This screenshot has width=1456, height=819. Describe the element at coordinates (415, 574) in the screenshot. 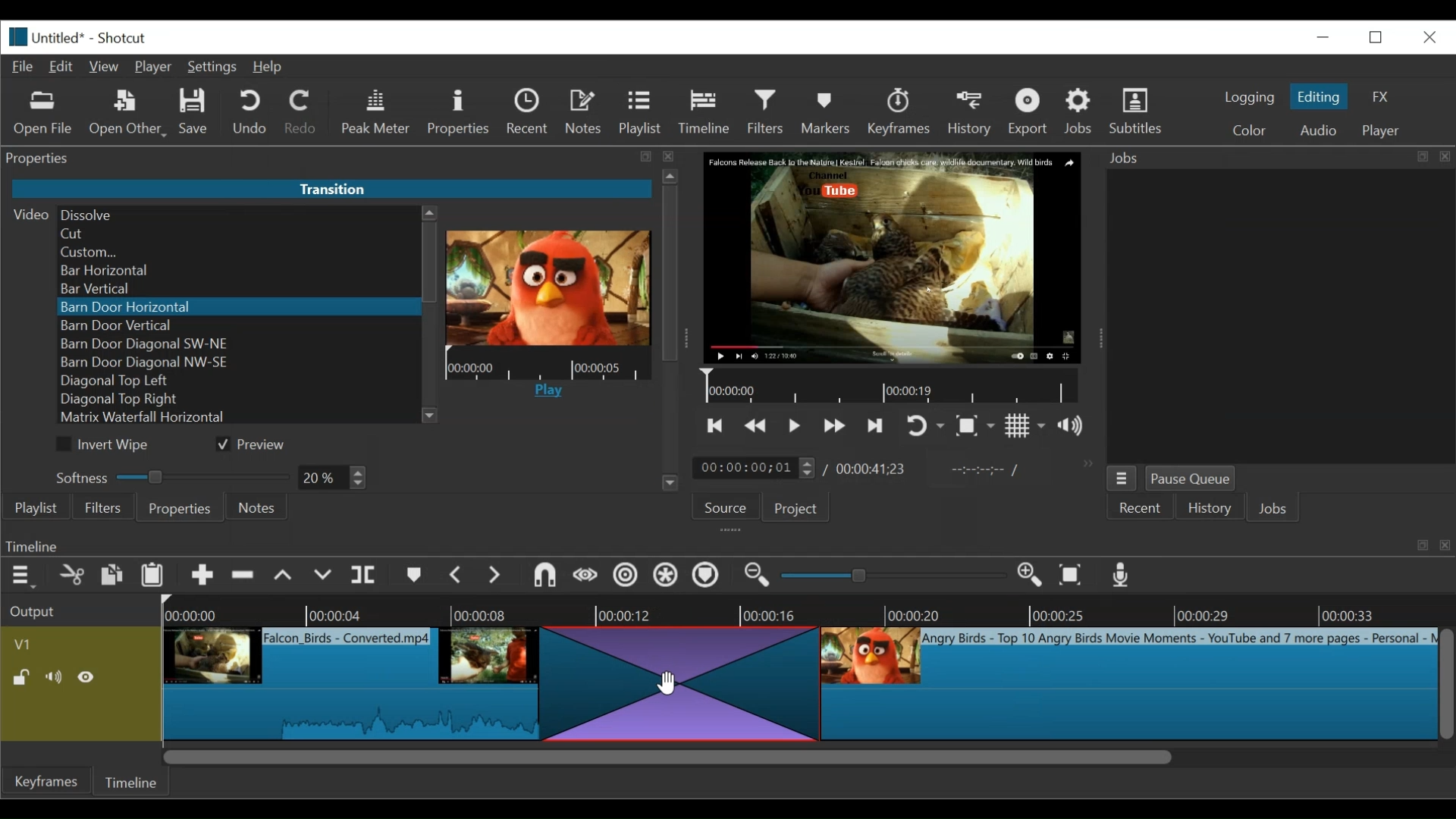

I see `Markers` at that location.